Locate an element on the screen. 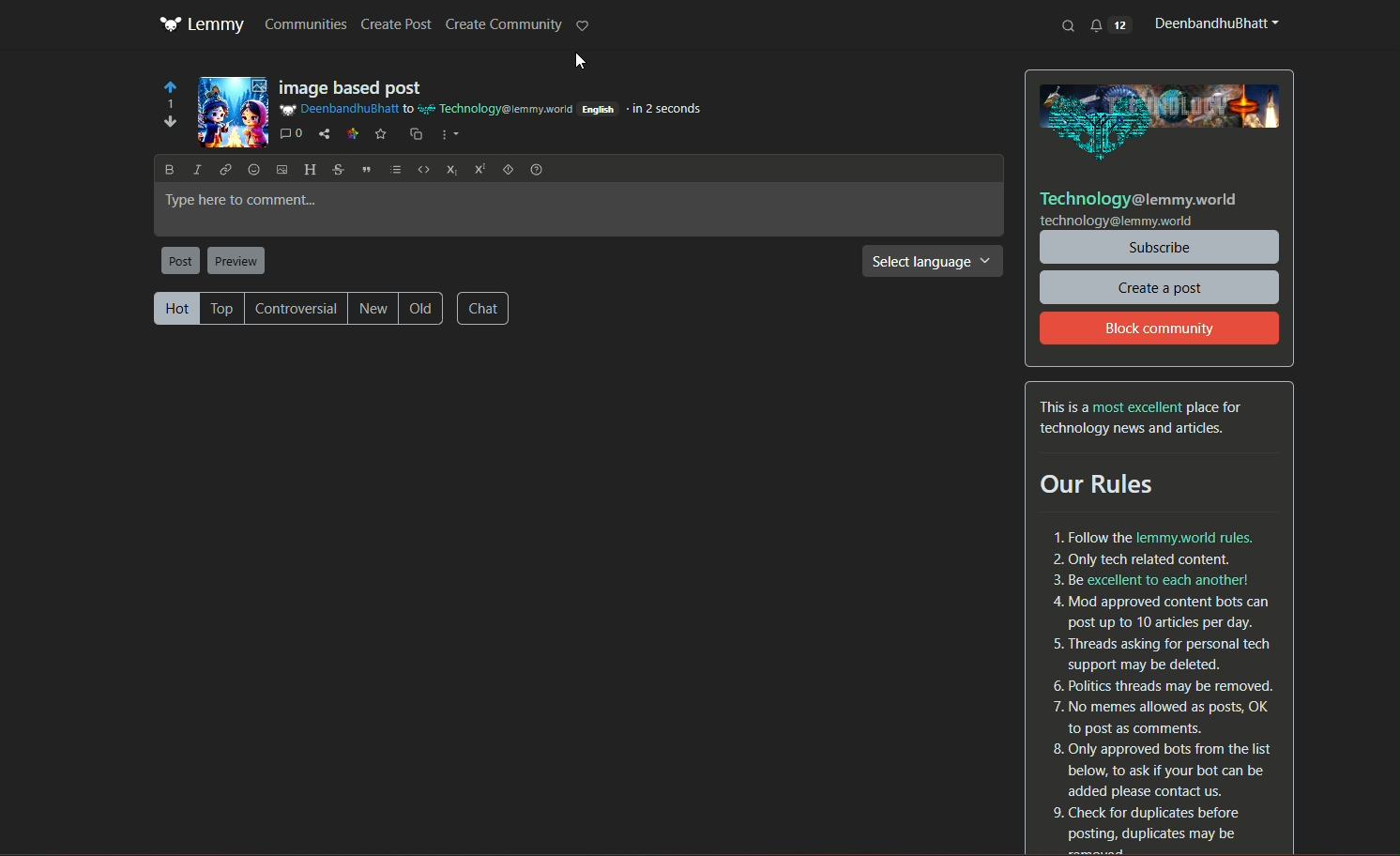  link is located at coordinates (351, 132).